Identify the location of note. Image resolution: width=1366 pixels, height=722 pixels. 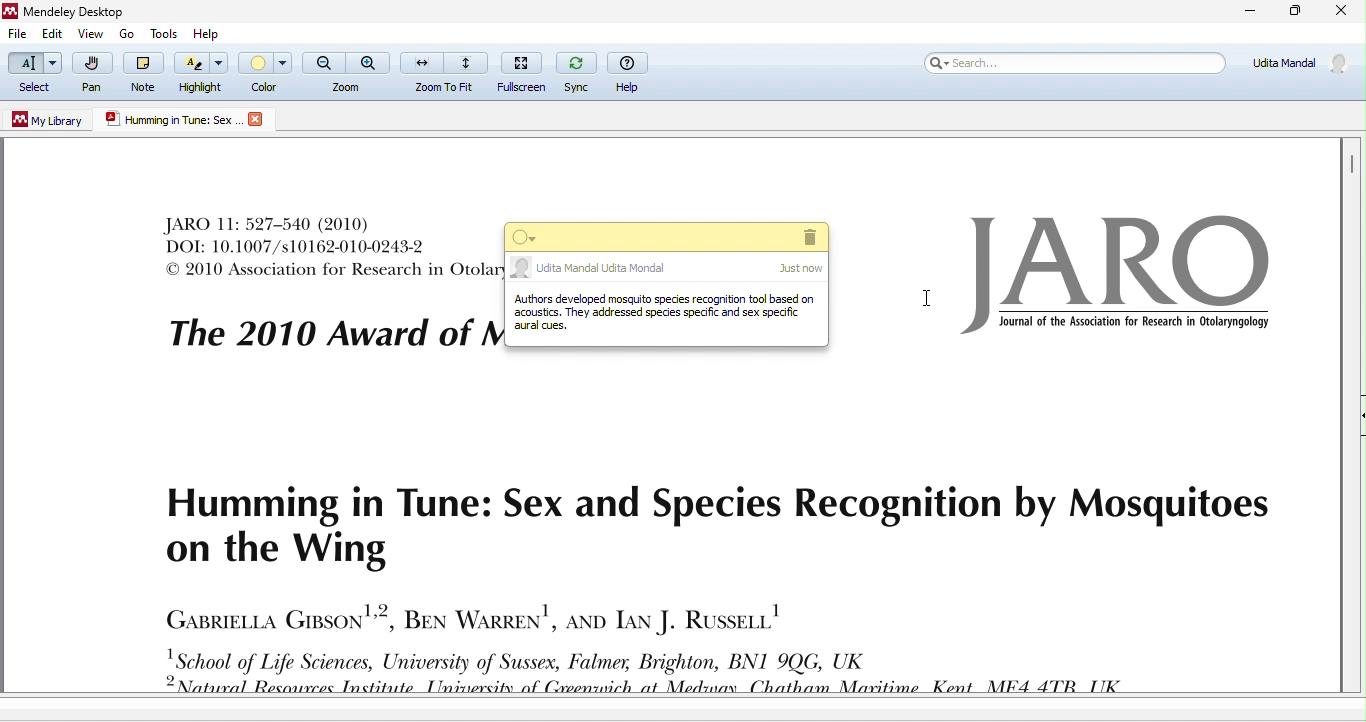
(145, 72).